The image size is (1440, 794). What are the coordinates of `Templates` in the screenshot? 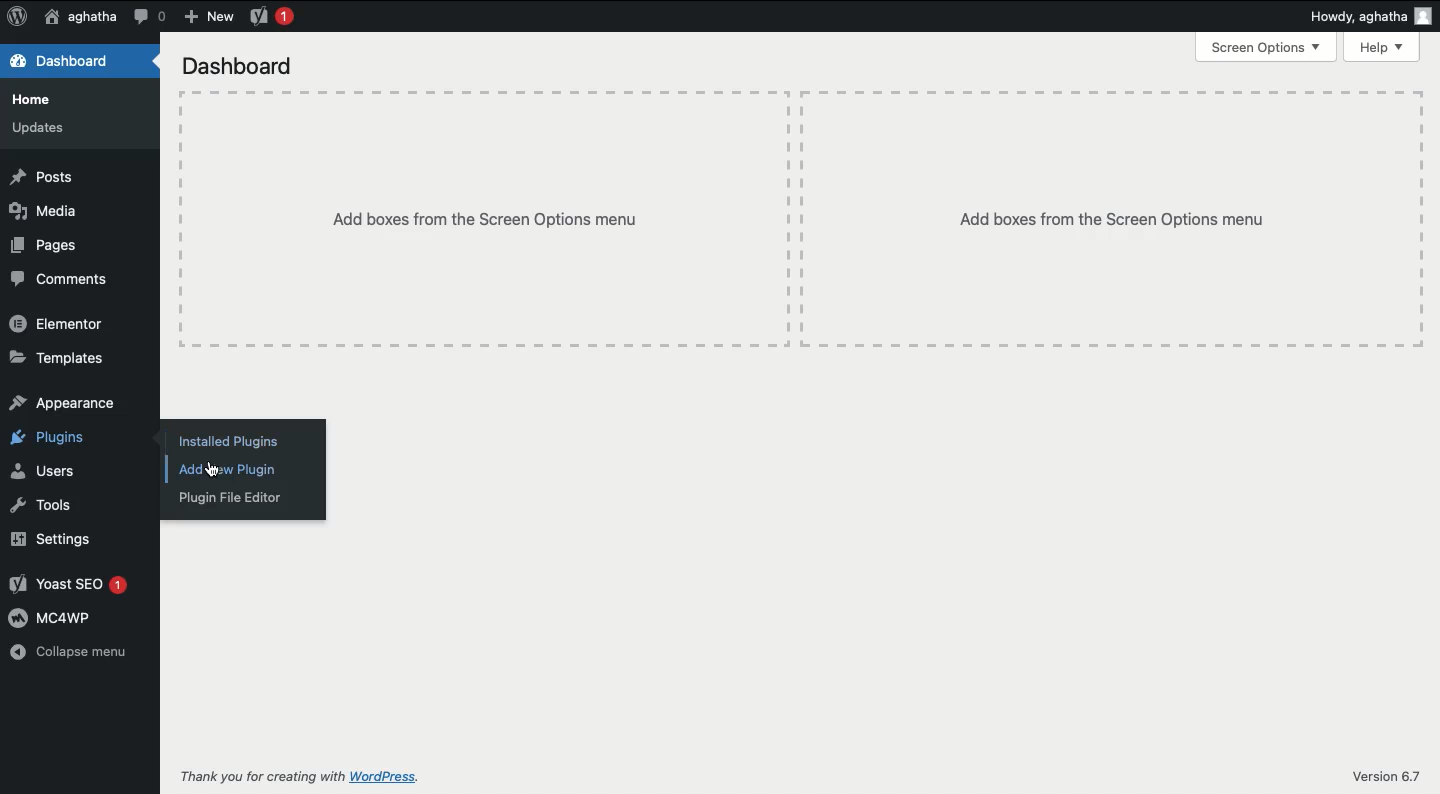 It's located at (57, 359).